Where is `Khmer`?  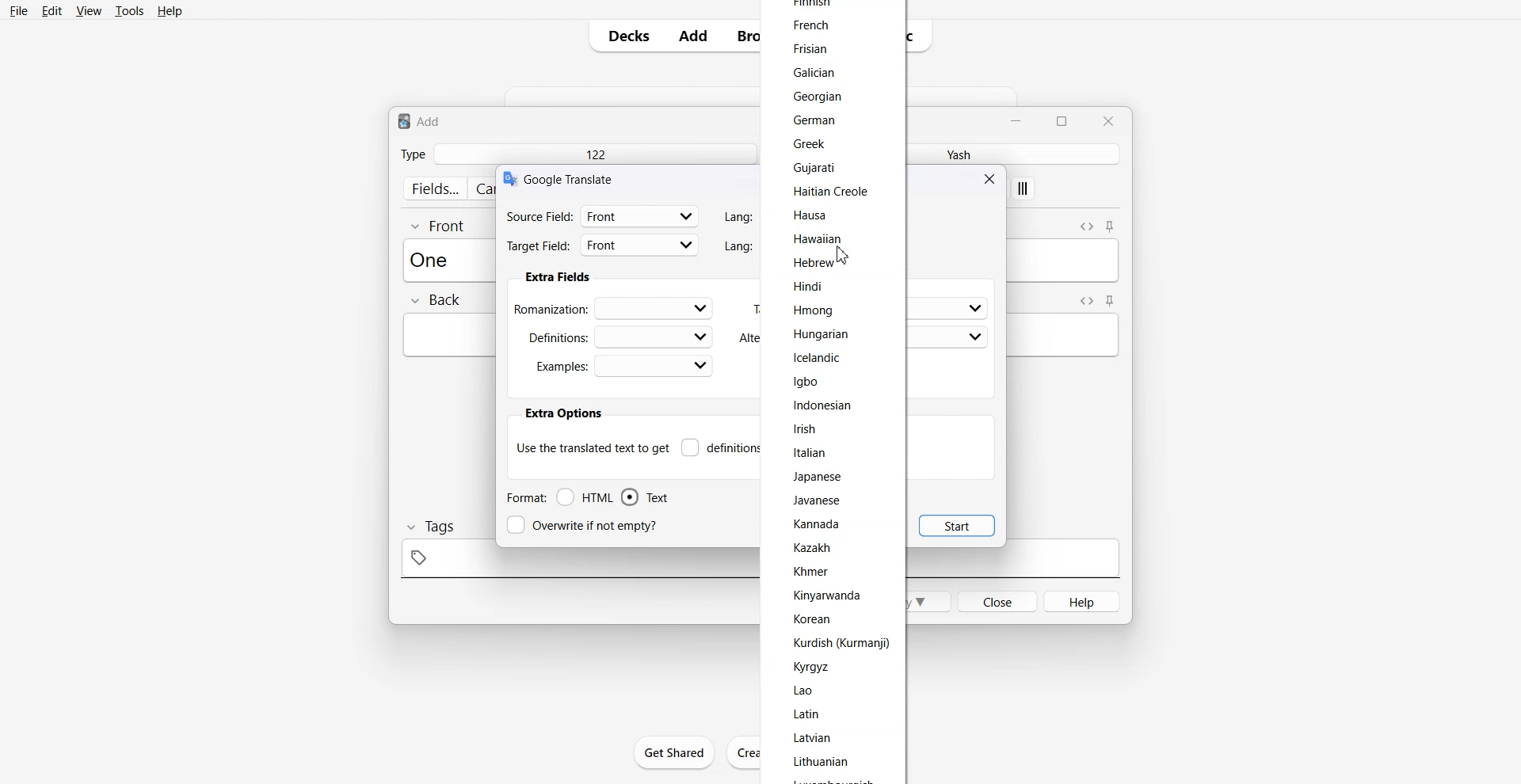 Khmer is located at coordinates (812, 570).